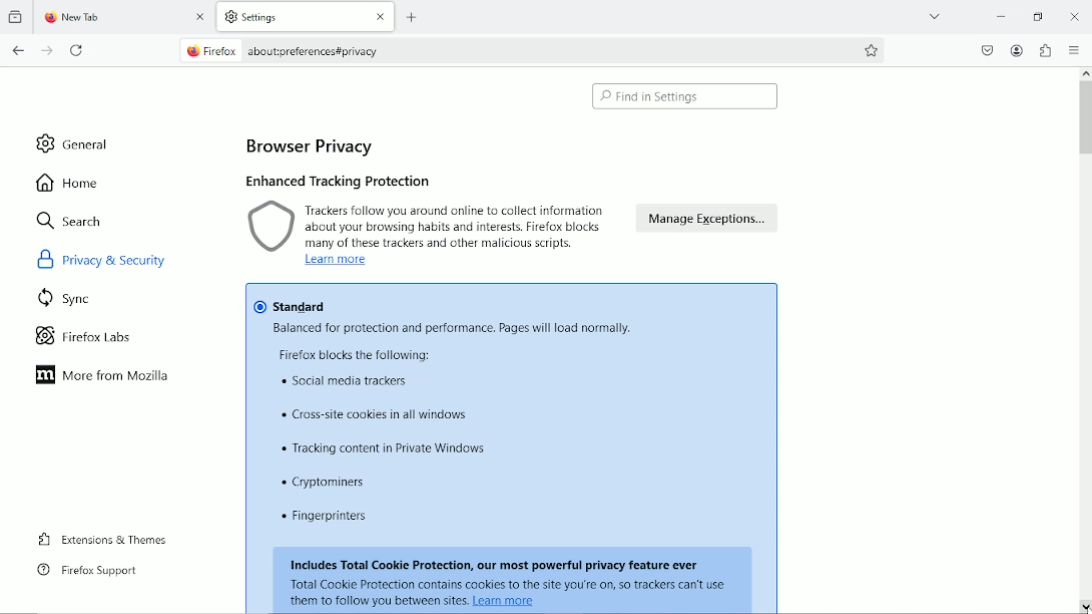  I want to click on extensions, so click(1045, 50).